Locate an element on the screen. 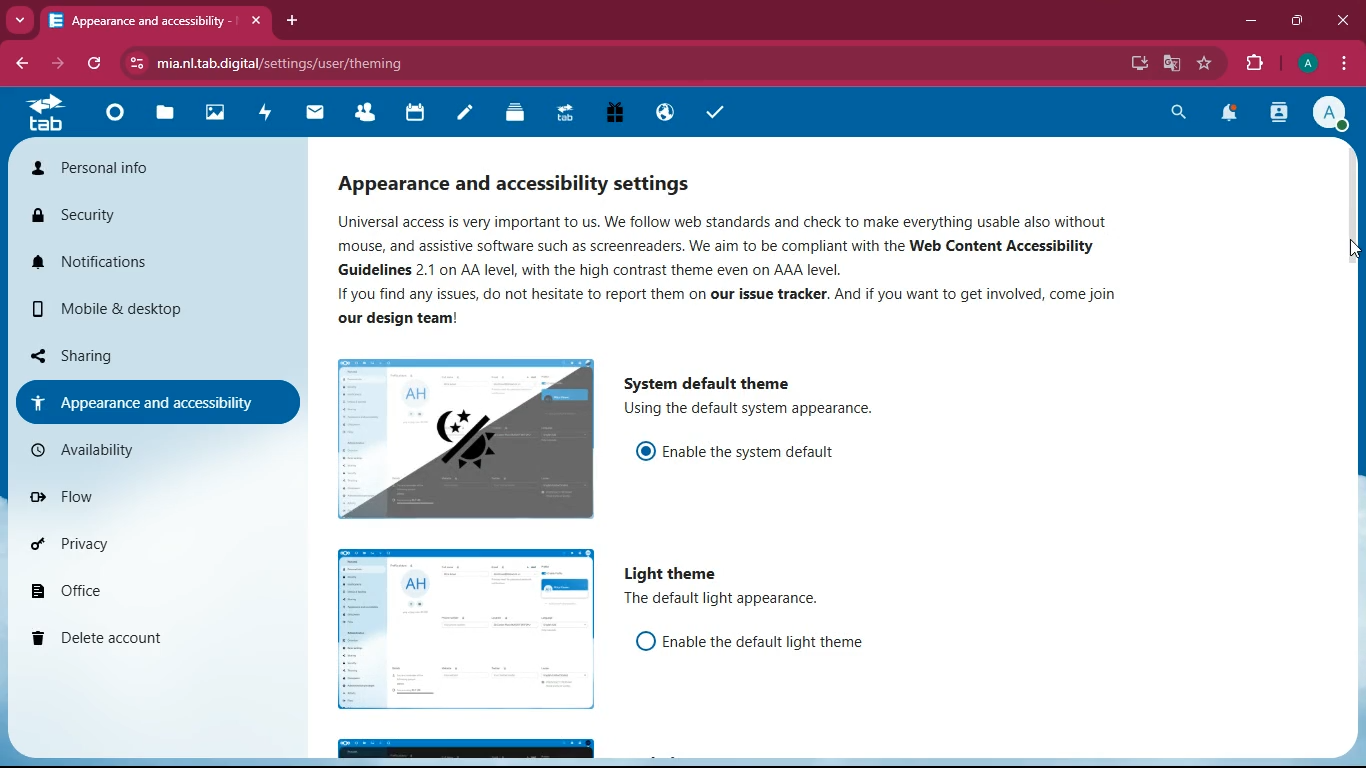 The width and height of the screenshot is (1366, 768). description is located at coordinates (752, 270).